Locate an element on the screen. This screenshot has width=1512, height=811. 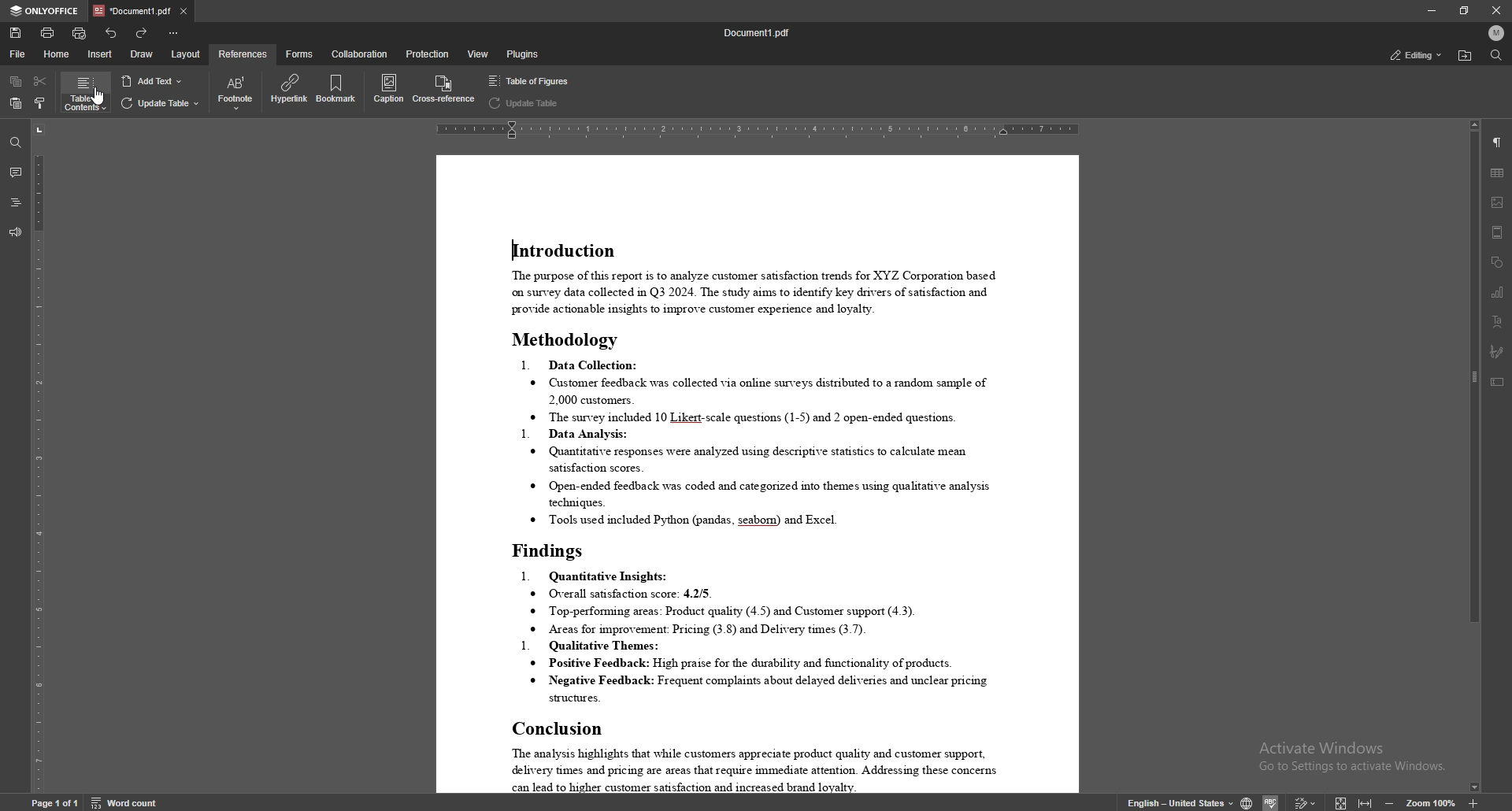
cross reference is located at coordinates (443, 91).